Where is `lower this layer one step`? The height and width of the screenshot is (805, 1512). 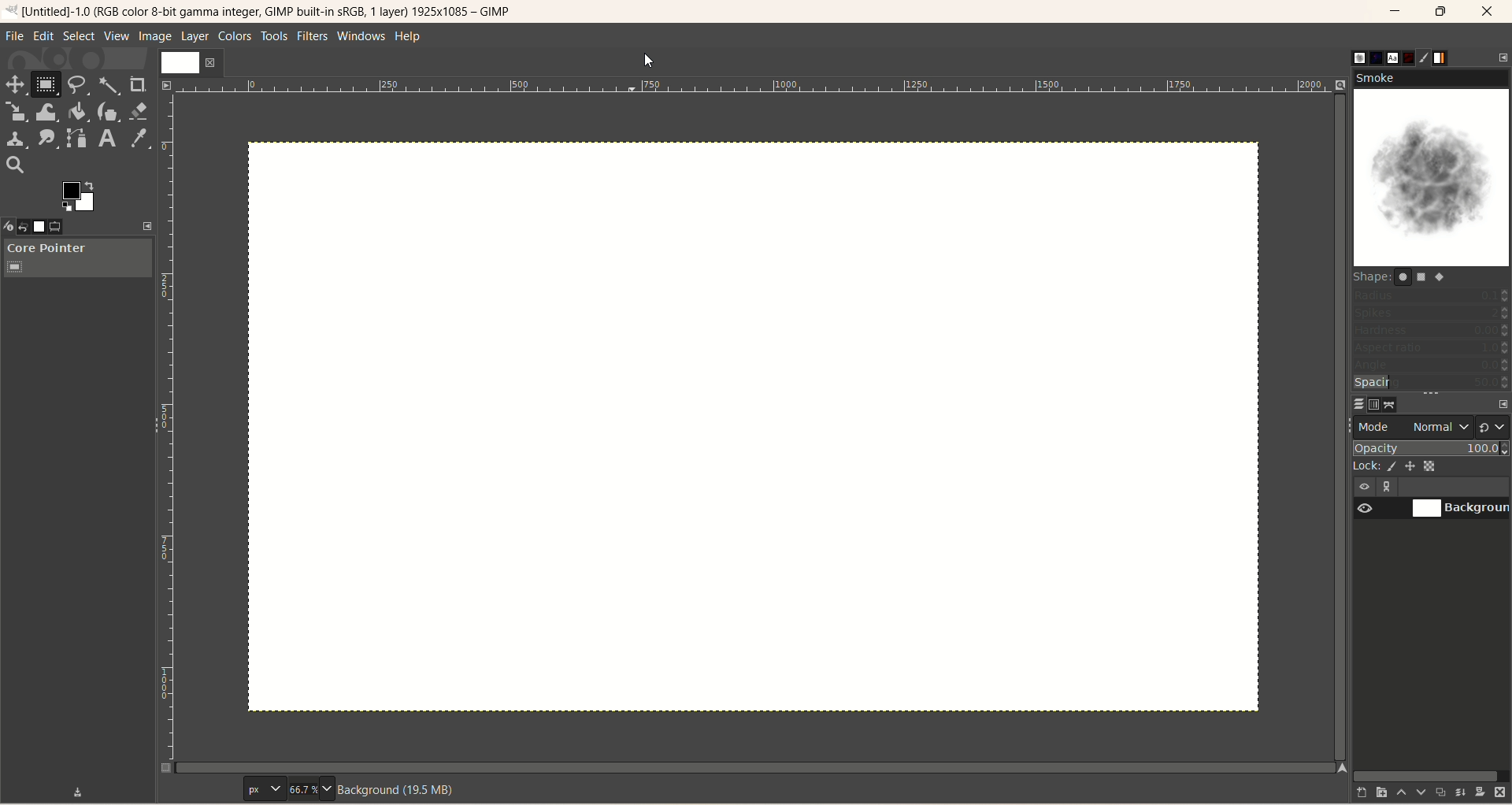
lower this layer one step is located at coordinates (1414, 792).